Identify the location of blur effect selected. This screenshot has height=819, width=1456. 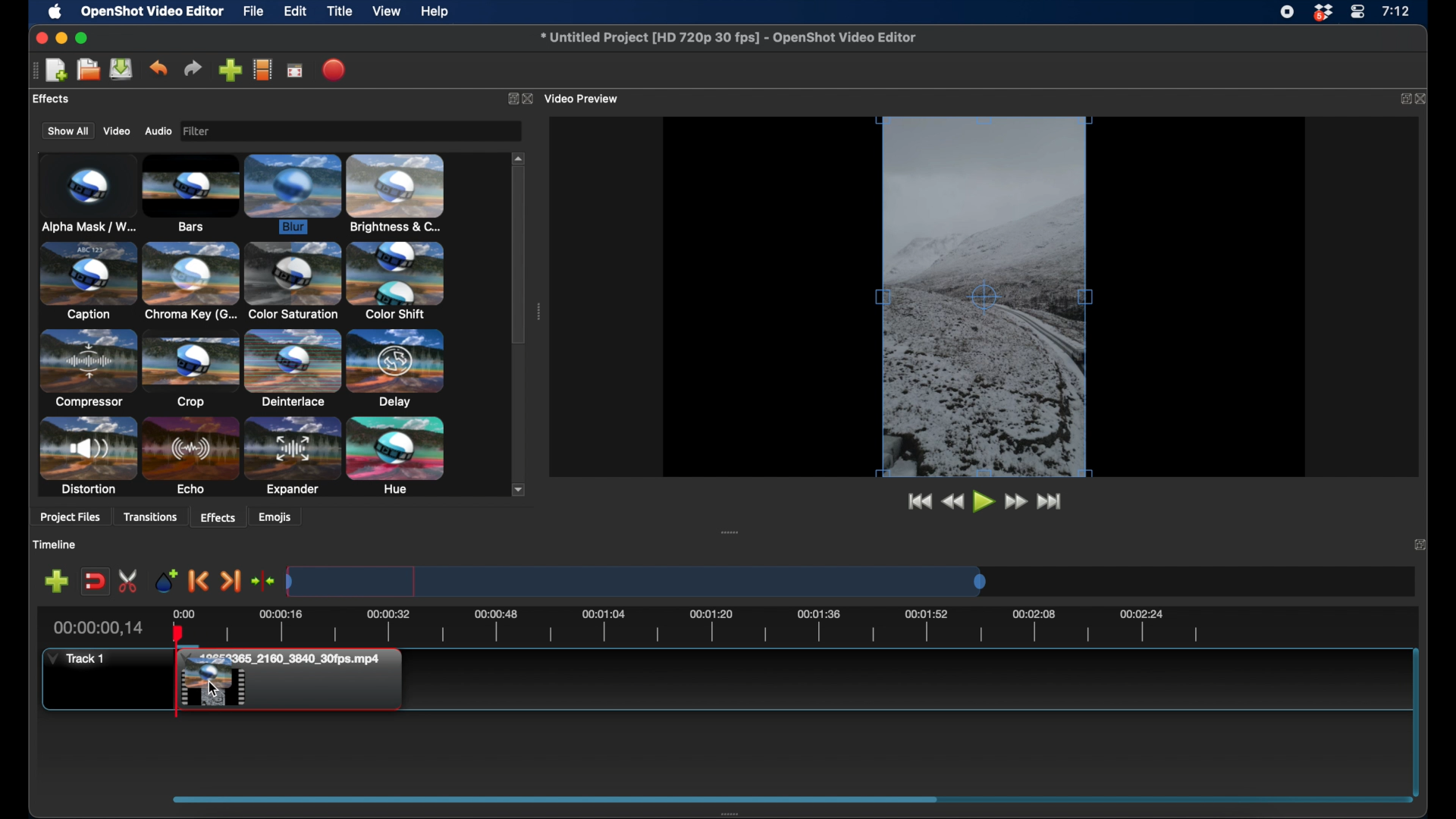
(294, 195).